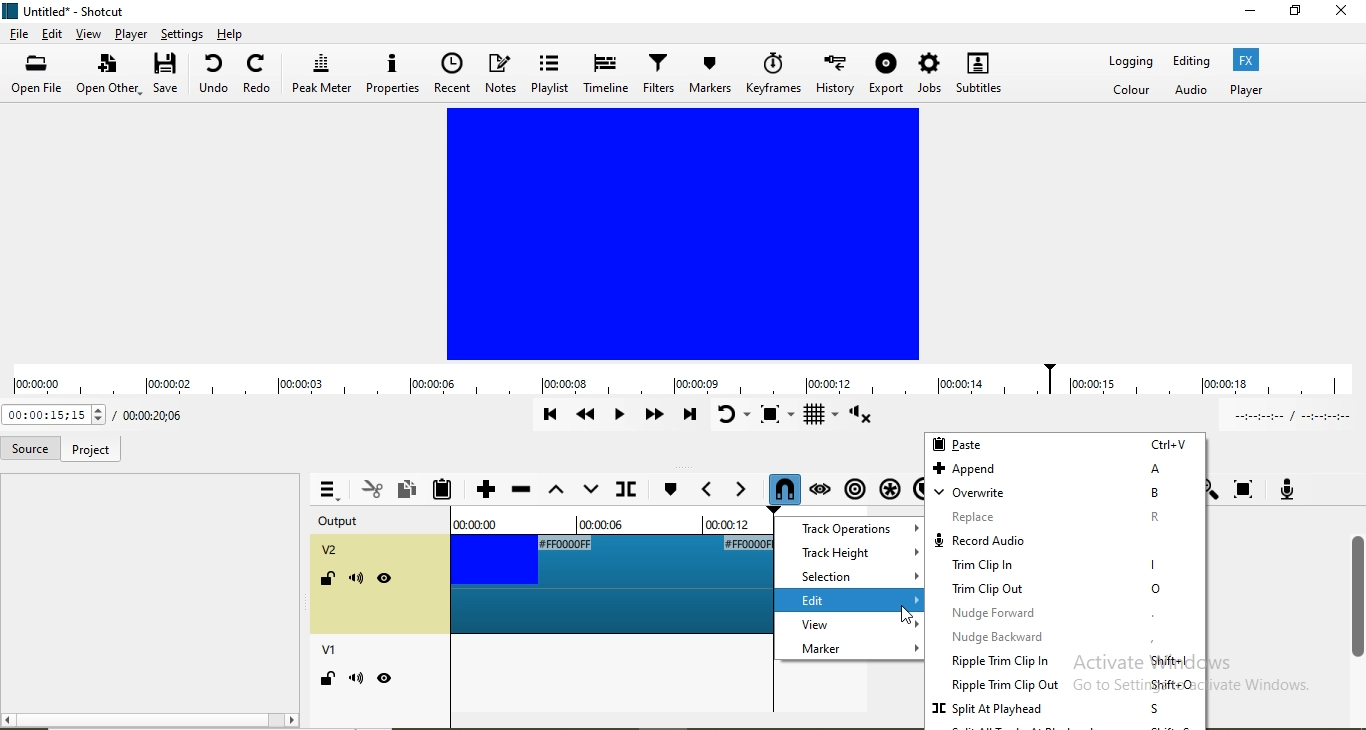 This screenshot has width=1366, height=730. I want to click on nudge backward, so click(1066, 640).